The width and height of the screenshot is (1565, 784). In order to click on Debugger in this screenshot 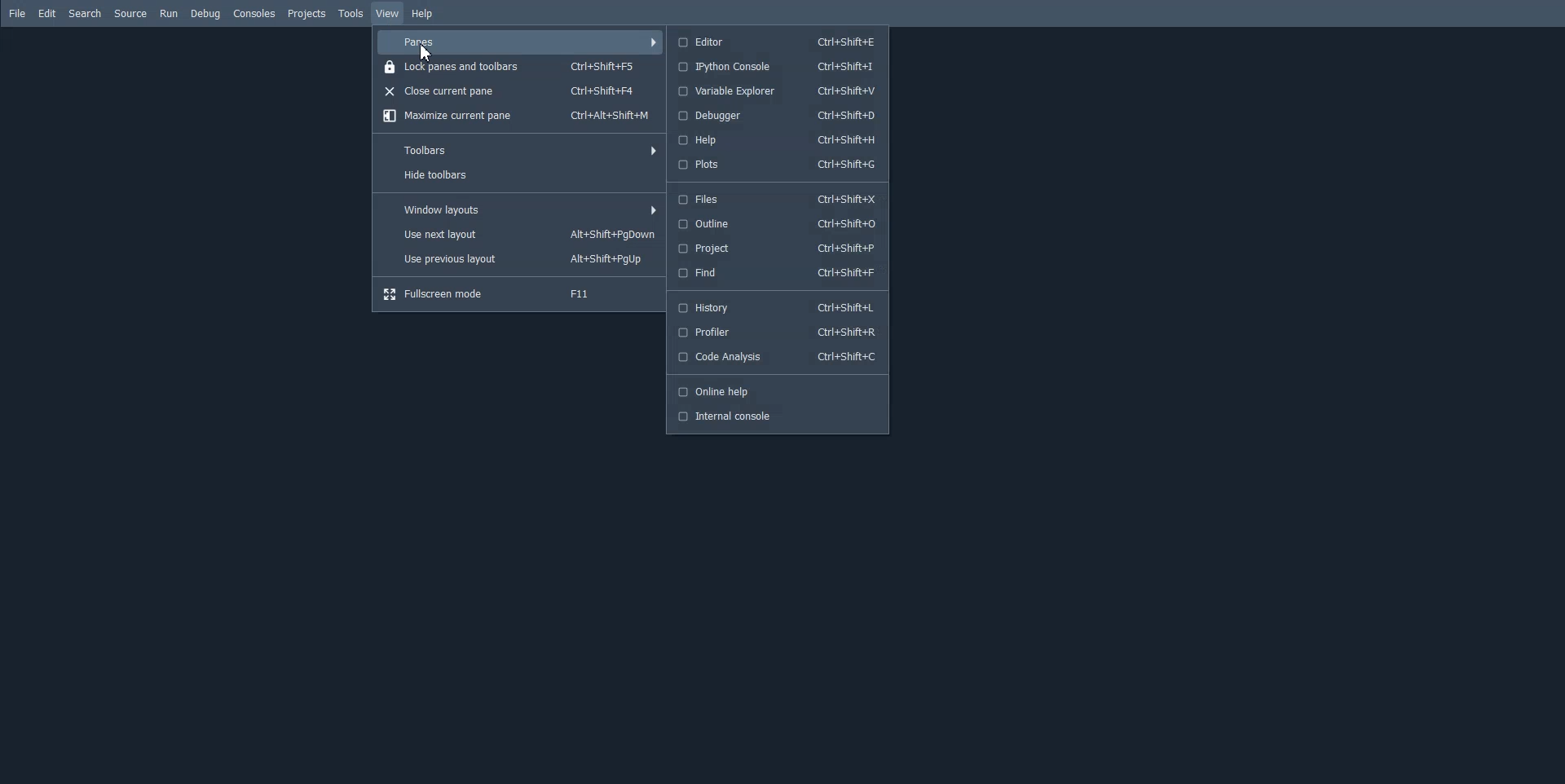, I will do `click(776, 116)`.